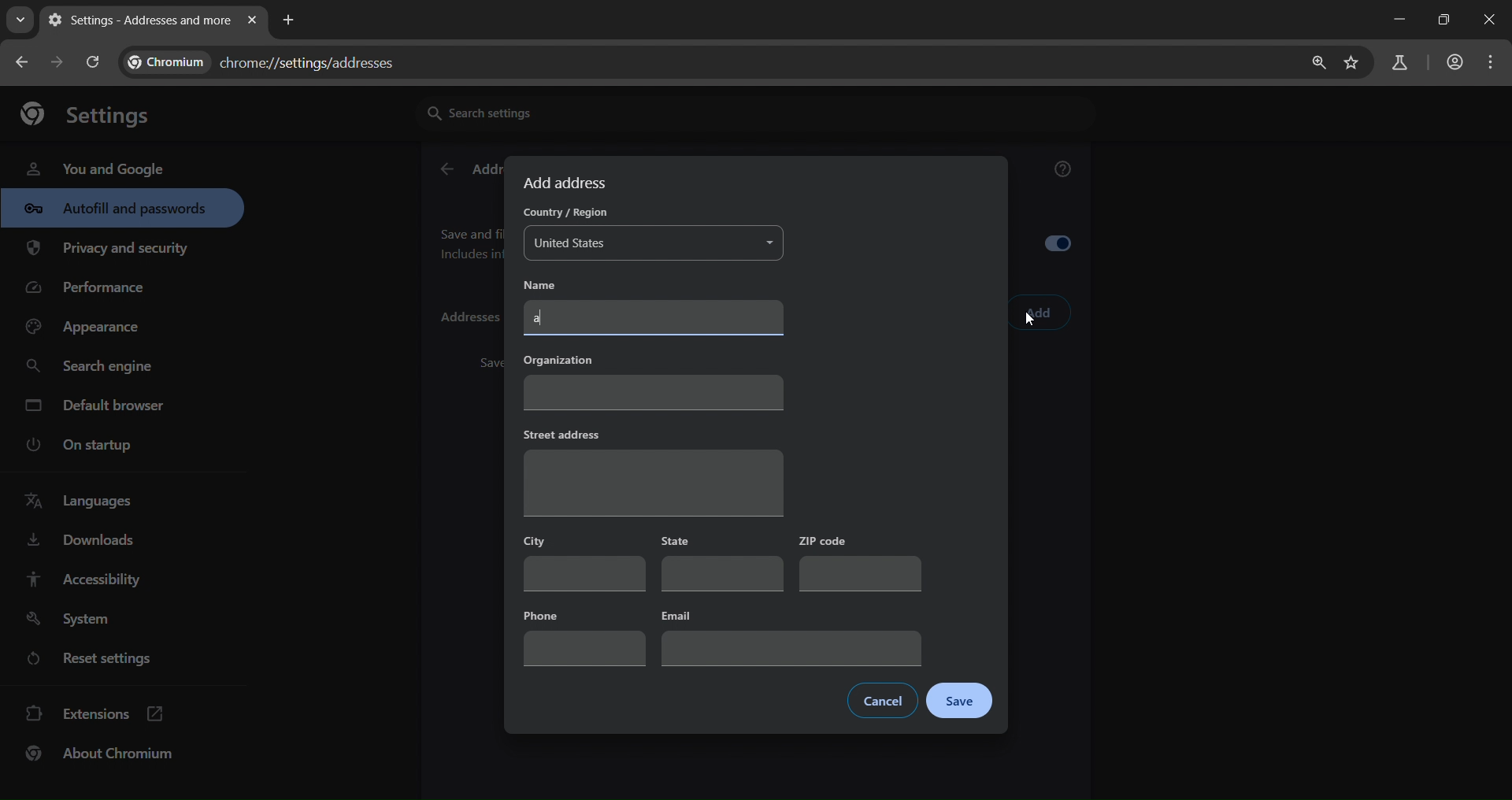 The width and height of the screenshot is (1512, 800). Describe the element at coordinates (136, 20) in the screenshot. I see `current page` at that location.